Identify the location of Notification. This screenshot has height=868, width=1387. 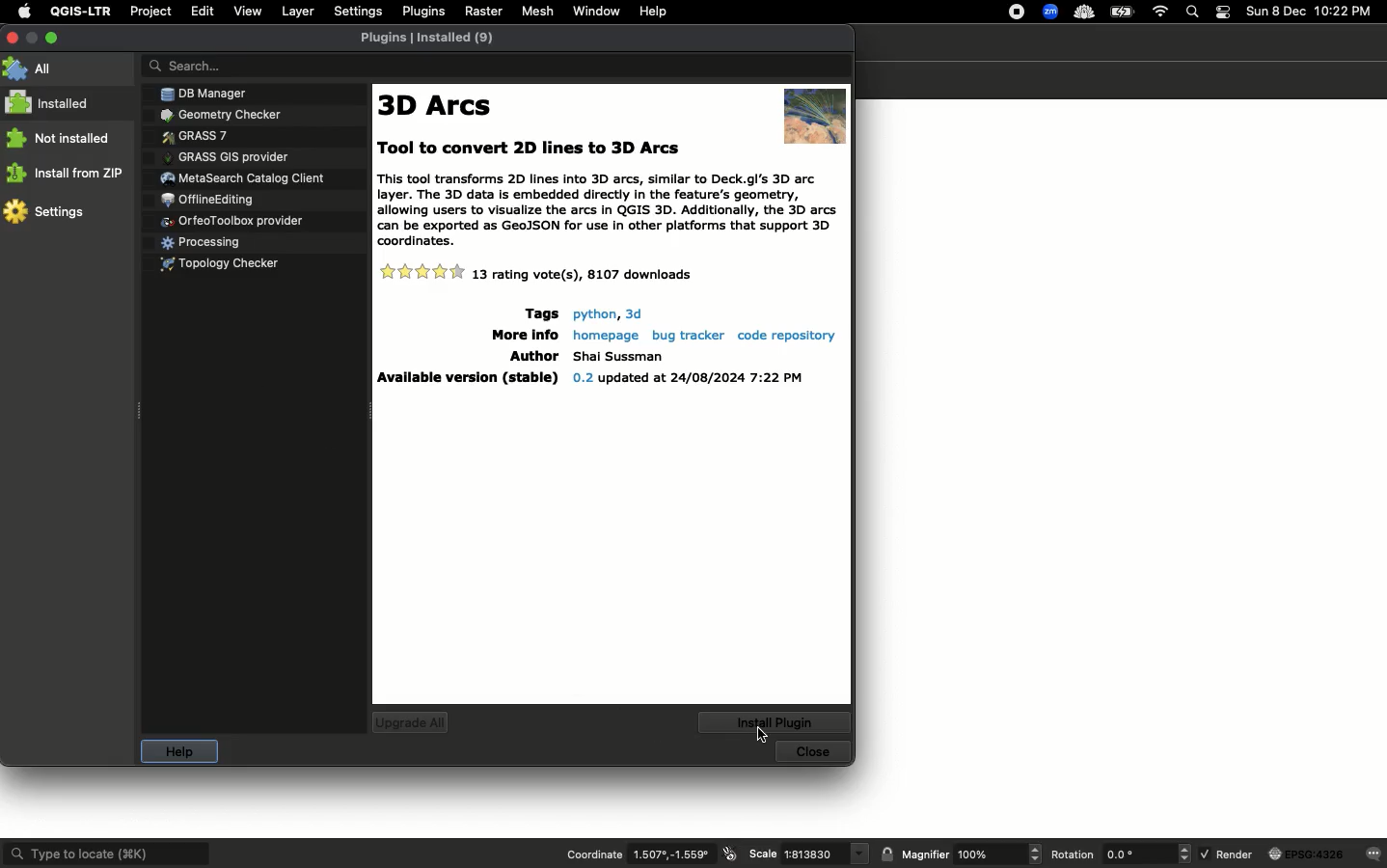
(1225, 11).